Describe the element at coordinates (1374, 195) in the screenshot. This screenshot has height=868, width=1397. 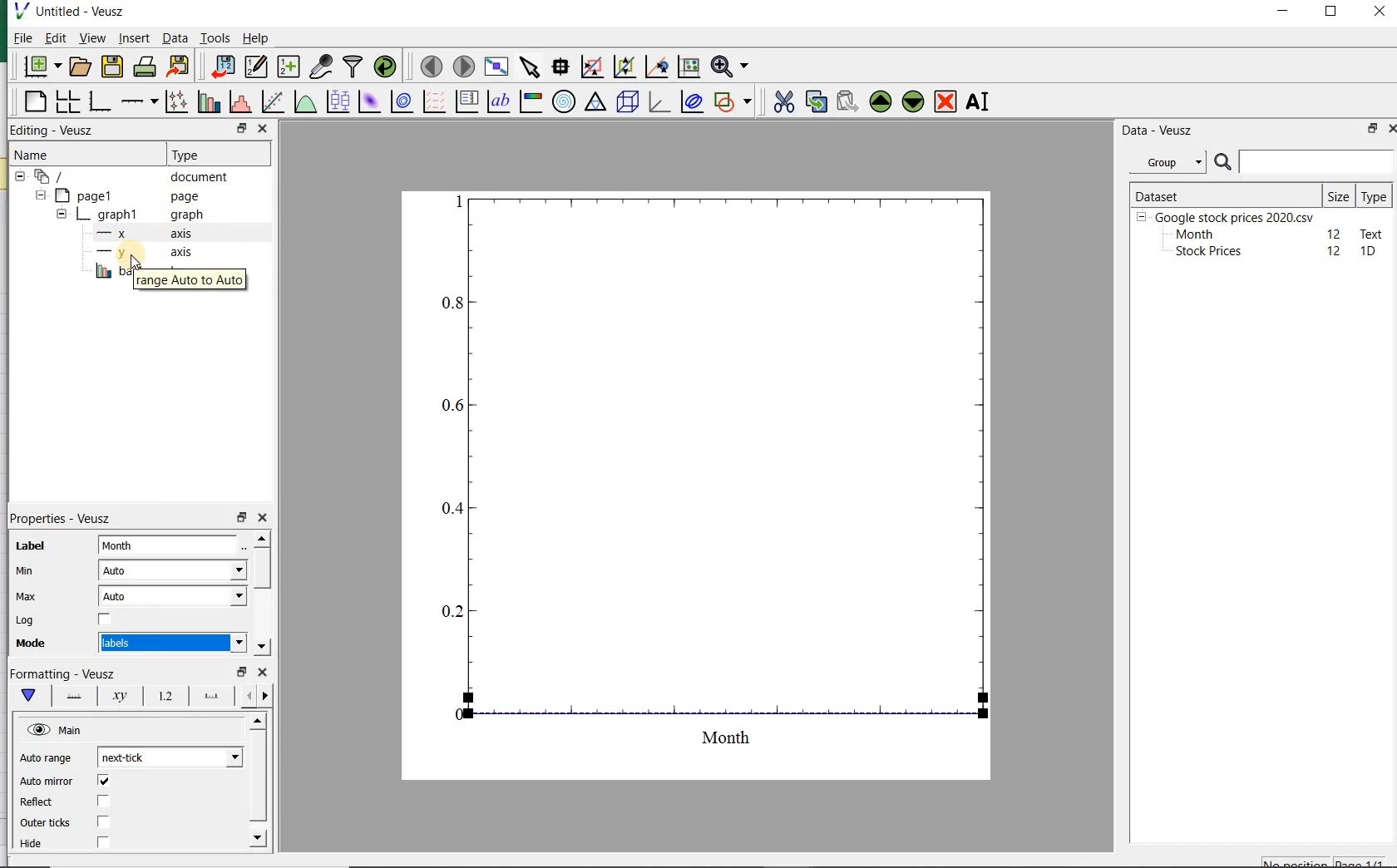
I see `Type` at that location.